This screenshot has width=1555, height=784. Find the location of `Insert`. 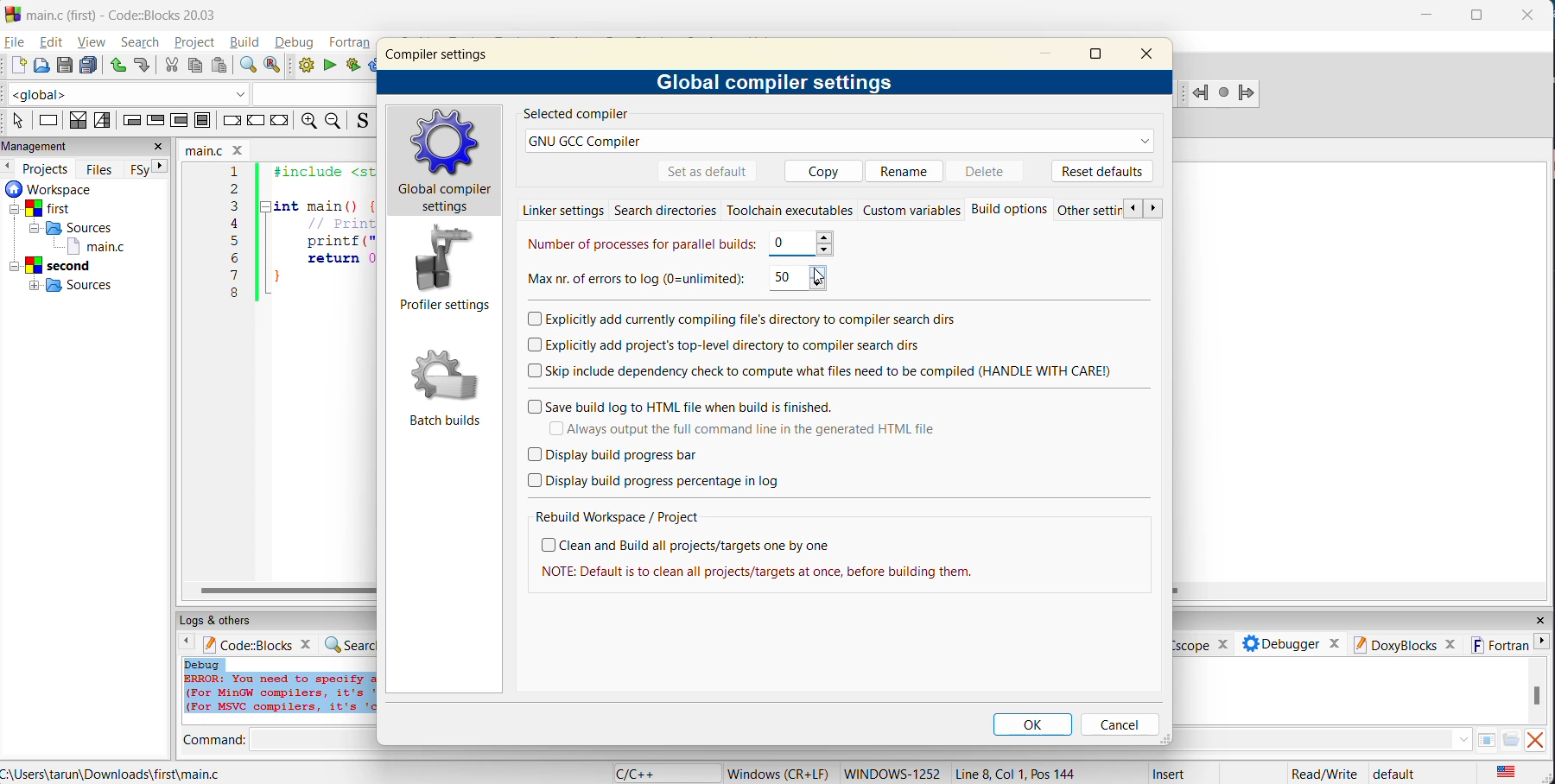

Insert is located at coordinates (1171, 772).